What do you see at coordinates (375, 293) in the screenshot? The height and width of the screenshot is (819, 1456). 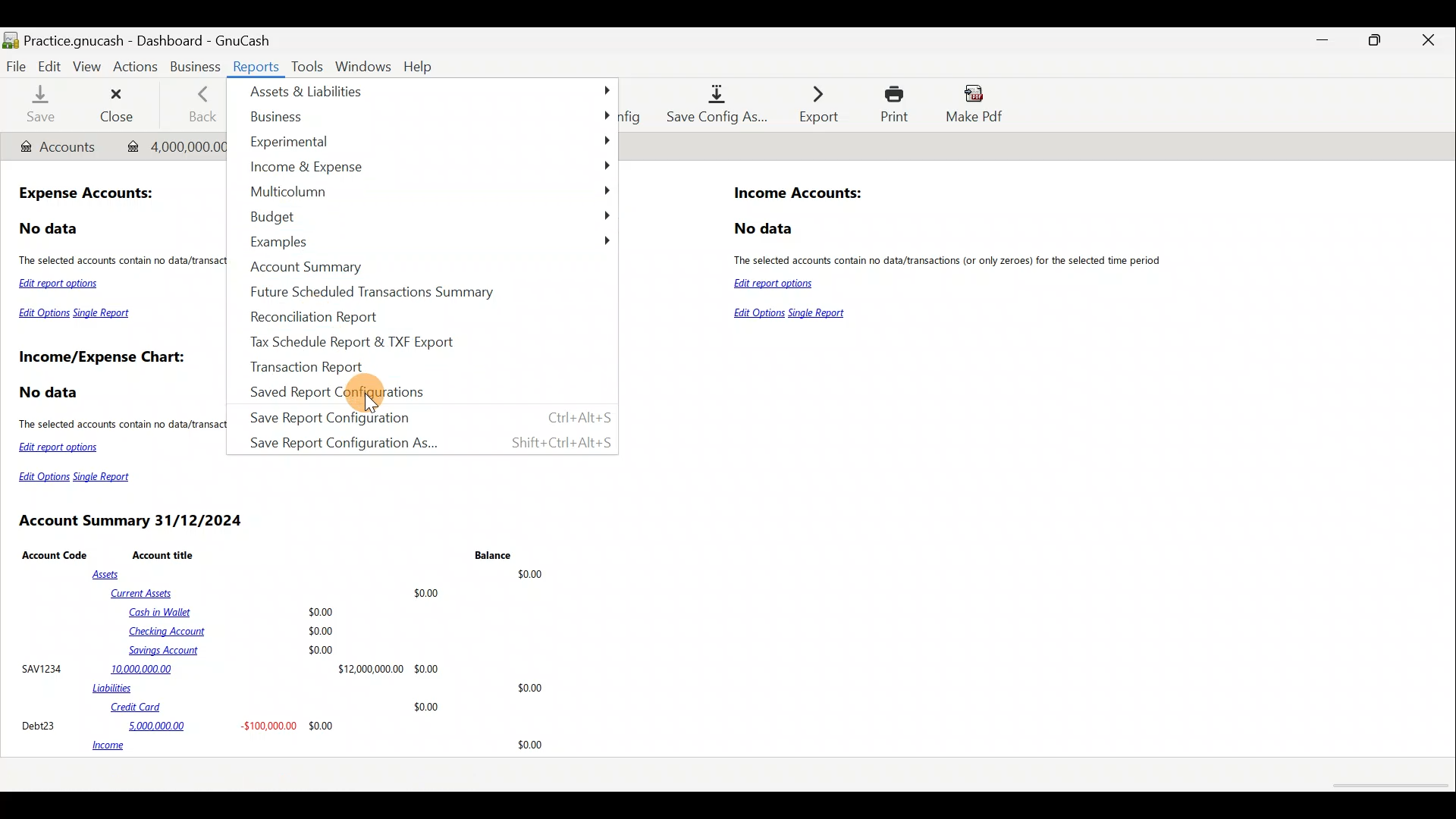 I see `Future Scheduled Transactions Summary` at bounding box center [375, 293].